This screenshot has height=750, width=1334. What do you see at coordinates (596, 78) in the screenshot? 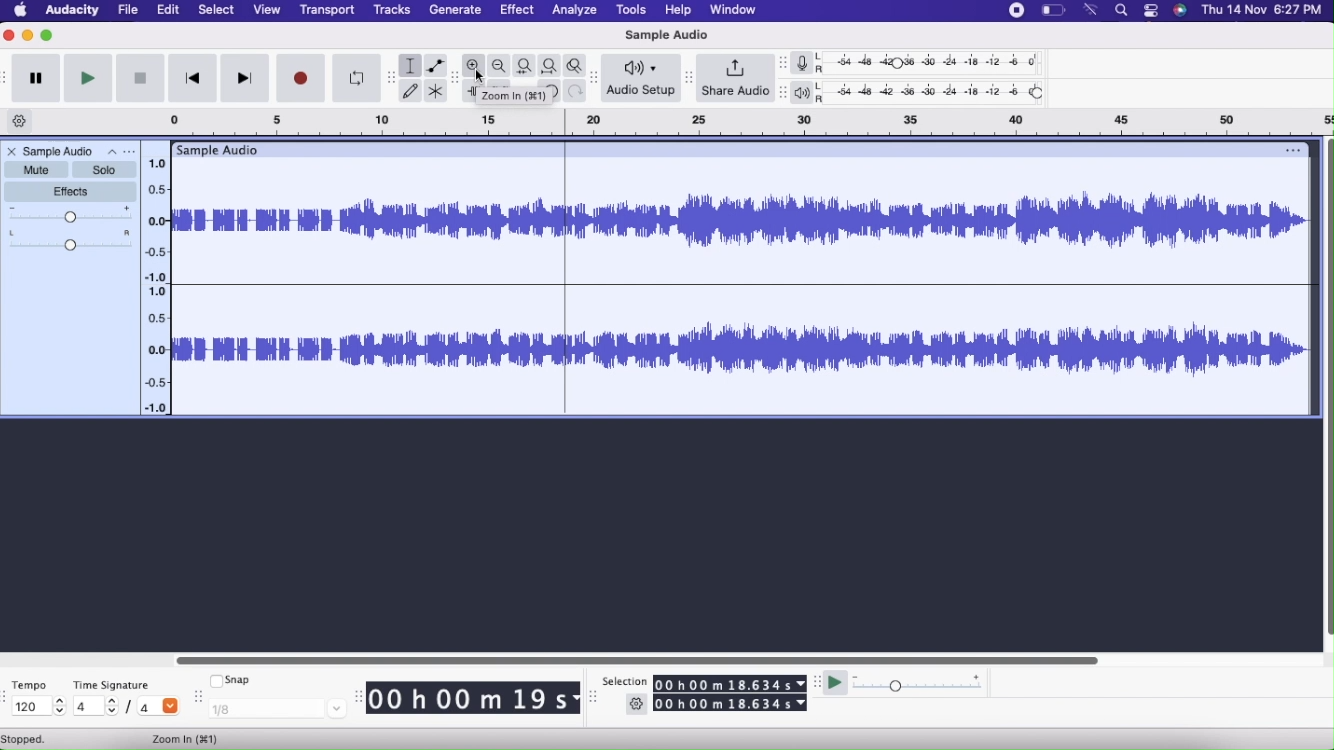
I see `resize` at bounding box center [596, 78].